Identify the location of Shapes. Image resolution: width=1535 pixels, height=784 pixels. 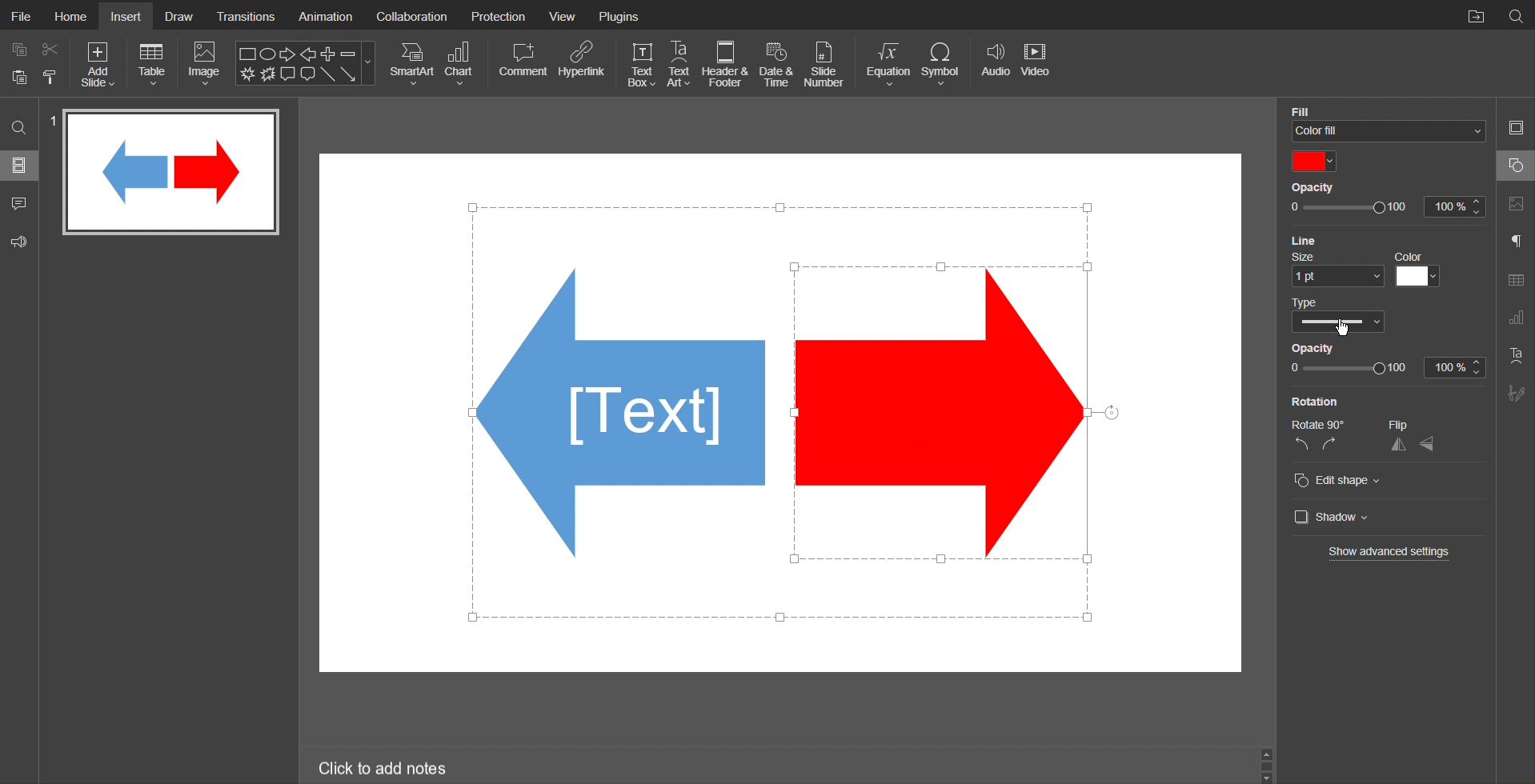
(617, 422).